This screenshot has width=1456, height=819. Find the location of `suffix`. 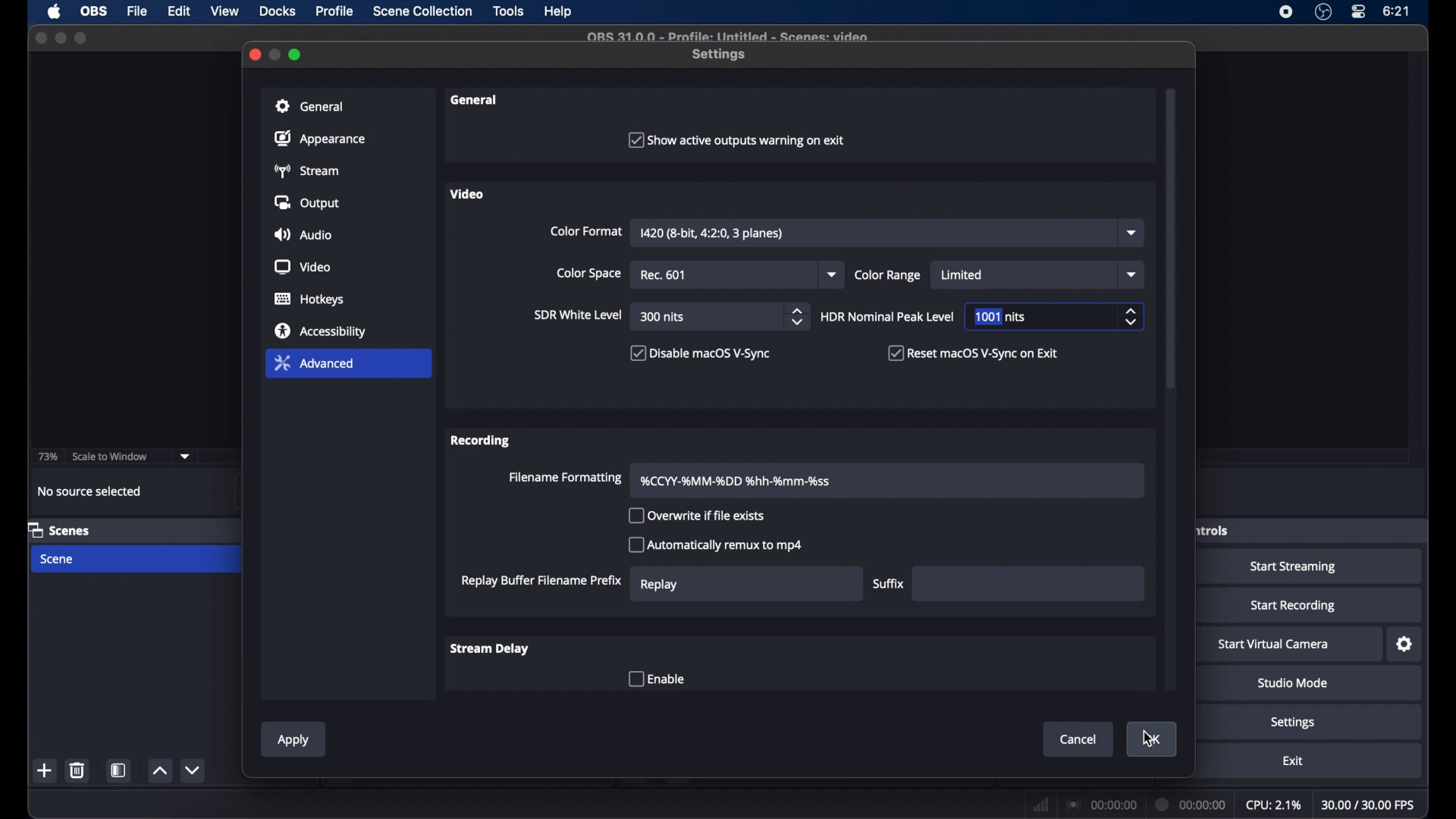

suffix is located at coordinates (889, 583).